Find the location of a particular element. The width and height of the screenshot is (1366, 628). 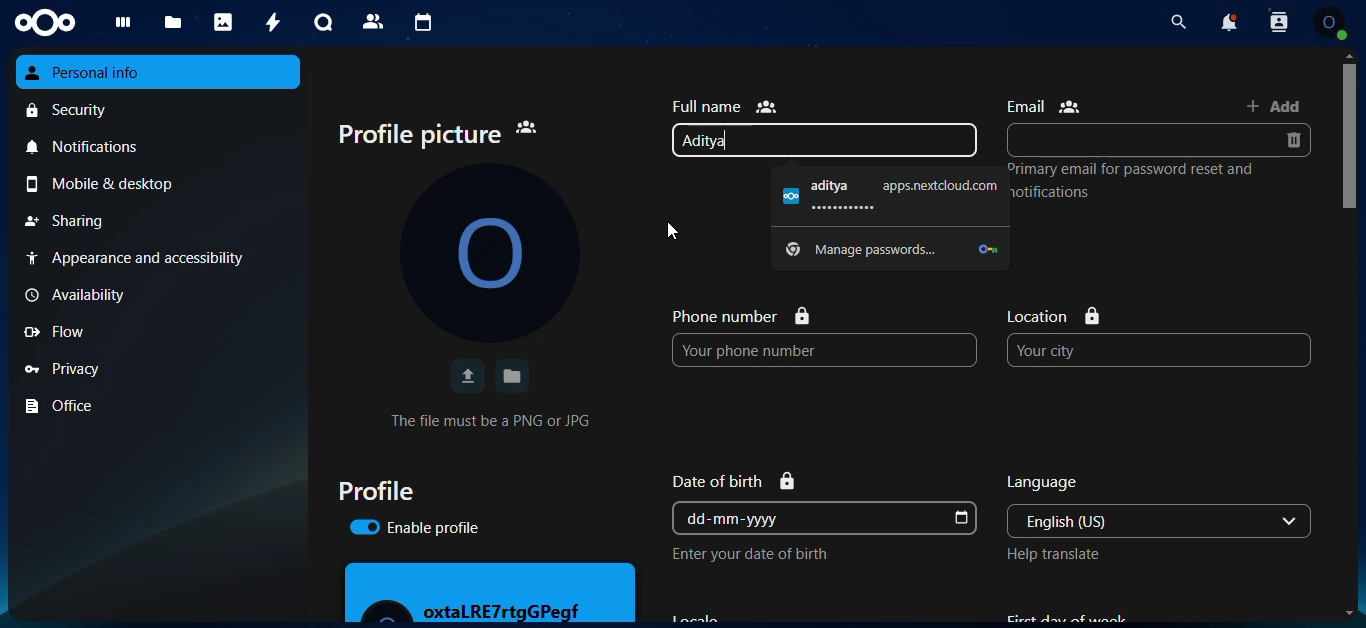

privacy is located at coordinates (160, 367).